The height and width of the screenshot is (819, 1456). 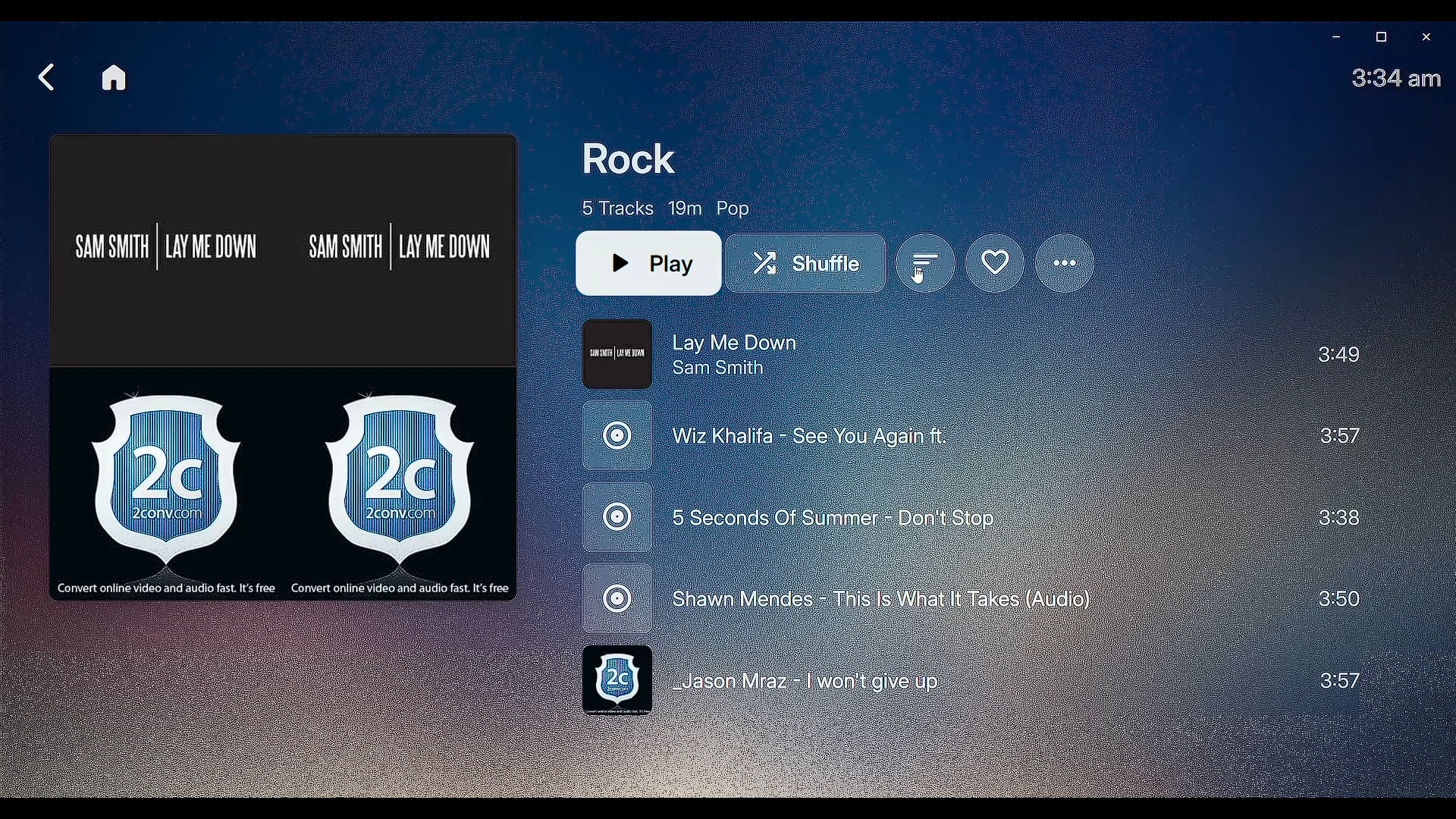 What do you see at coordinates (1398, 78) in the screenshot?
I see `TIme` at bounding box center [1398, 78].